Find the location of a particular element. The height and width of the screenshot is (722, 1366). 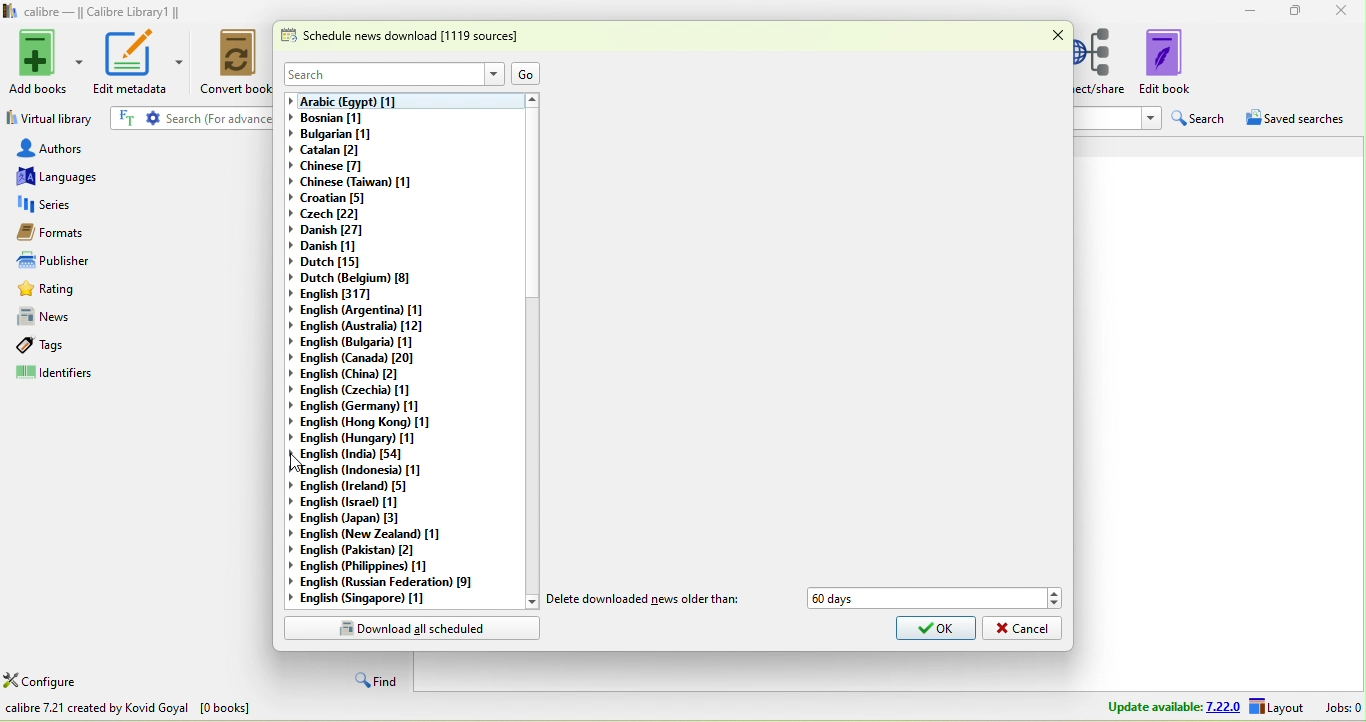

Add books options is located at coordinates (81, 59).